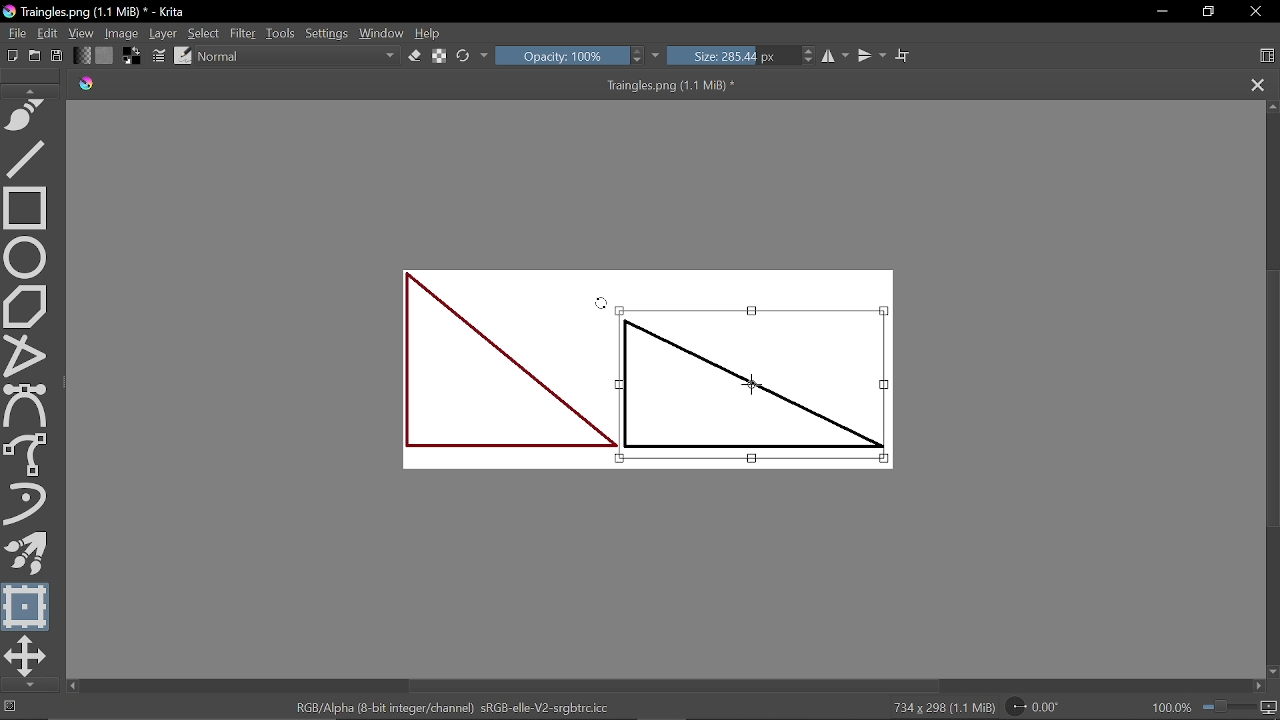 The image size is (1280, 720). What do you see at coordinates (1259, 12) in the screenshot?
I see `Close` at bounding box center [1259, 12].